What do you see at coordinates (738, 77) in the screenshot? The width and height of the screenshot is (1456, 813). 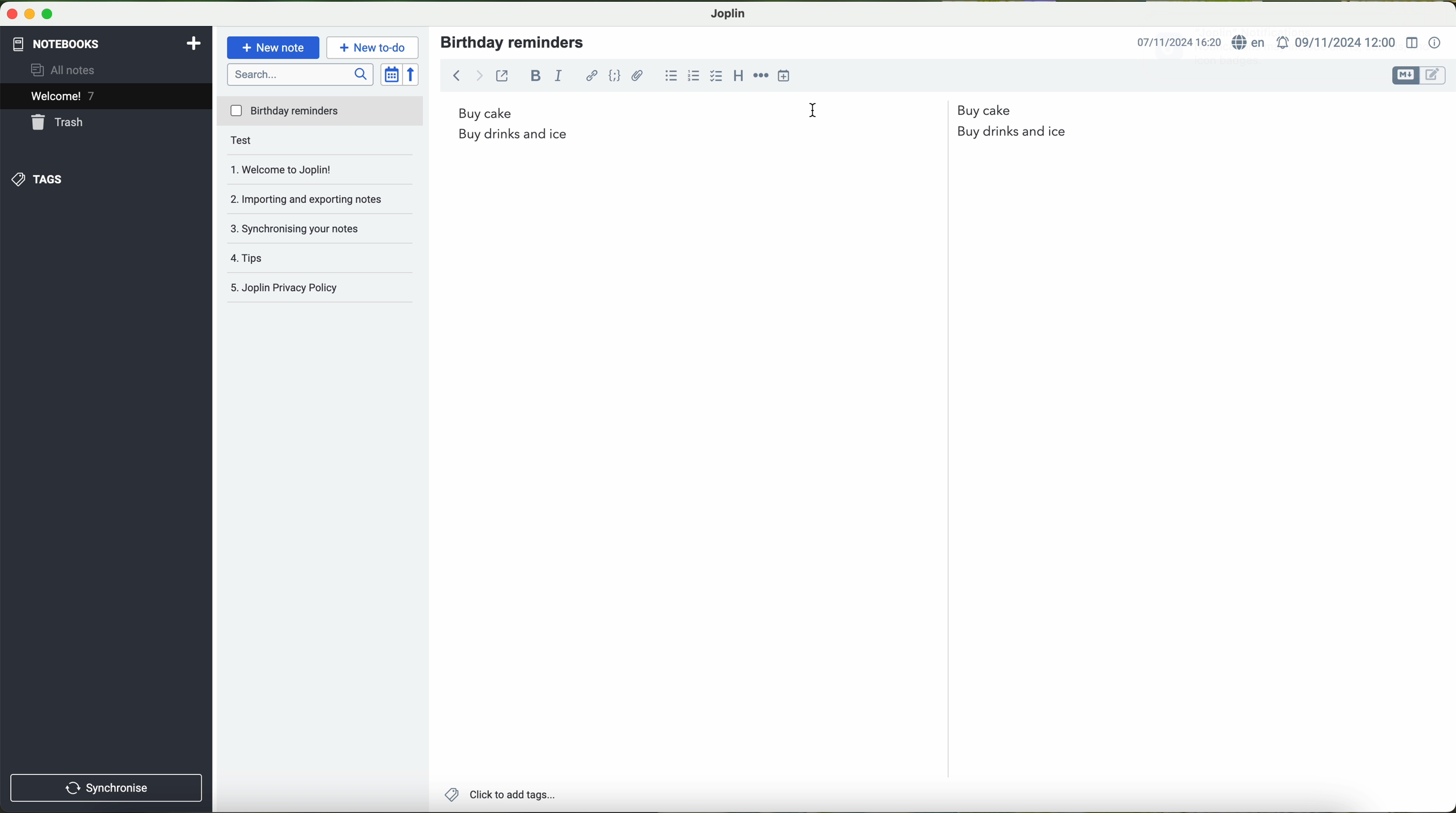 I see `heading` at bounding box center [738, 77].